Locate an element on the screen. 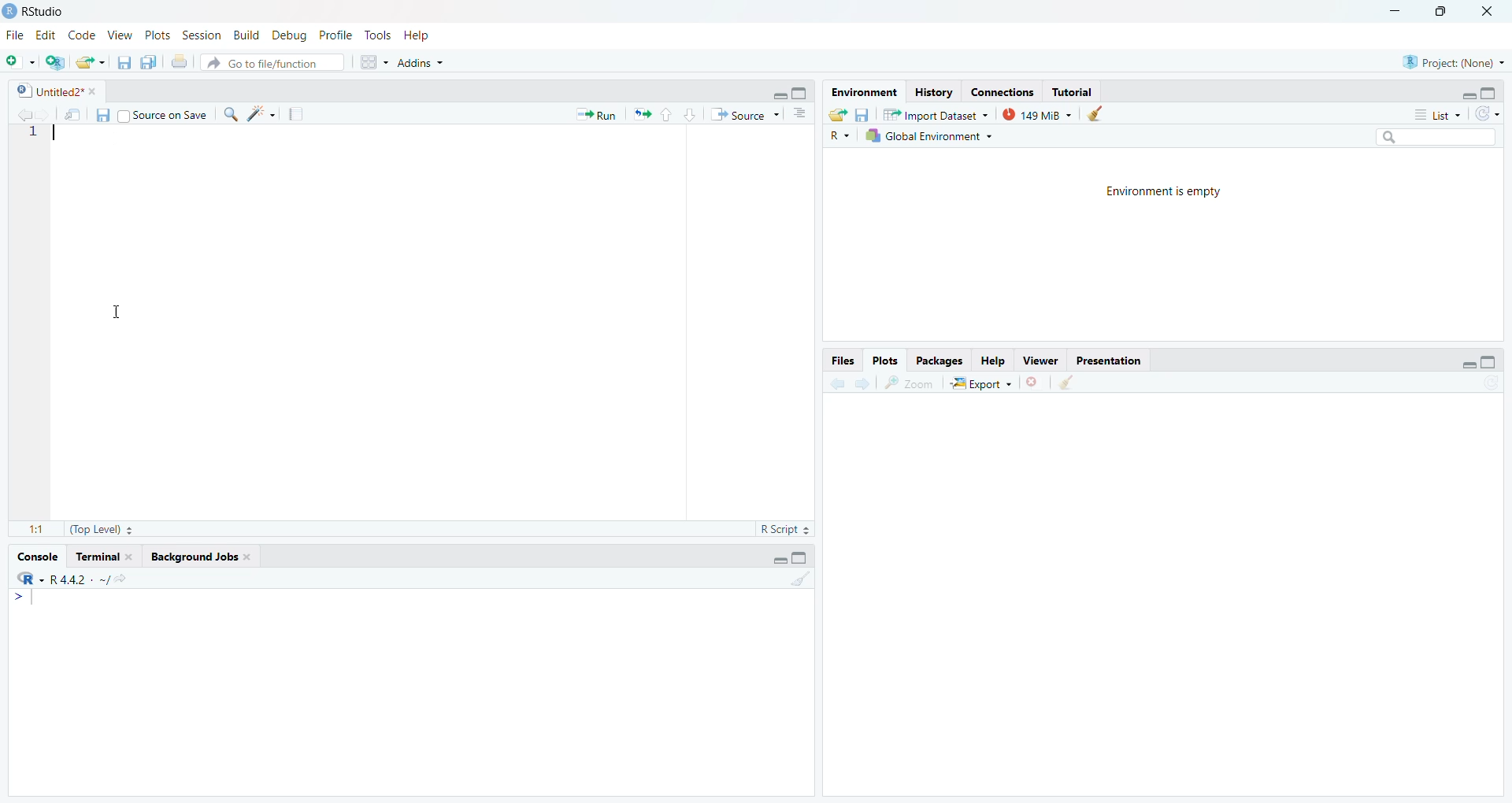 This screenshot has width=1512, height=803. Search bar is located at coordinates (1439, 136).